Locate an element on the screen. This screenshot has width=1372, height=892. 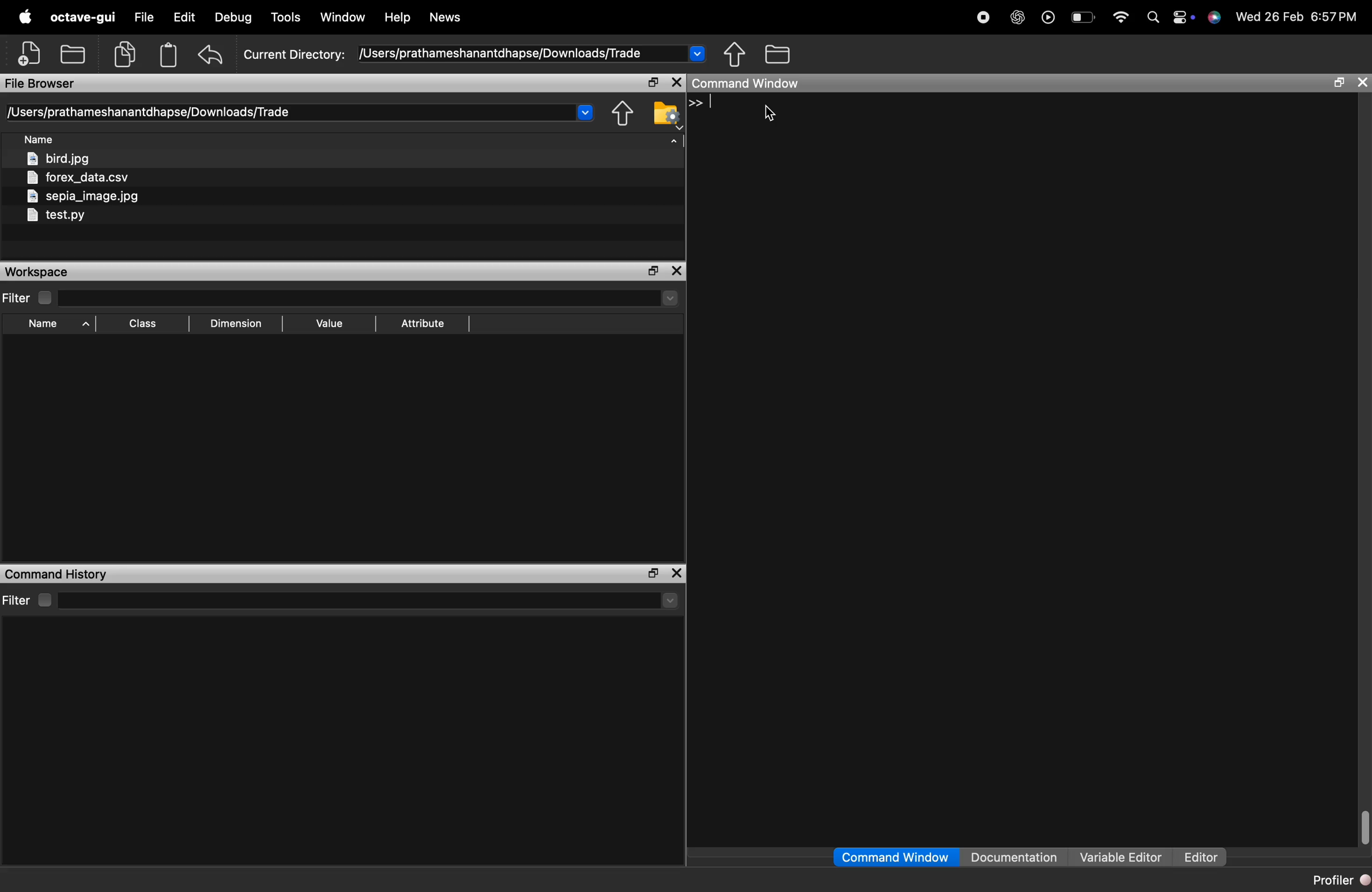
filter is located at coordinates (28, 298).